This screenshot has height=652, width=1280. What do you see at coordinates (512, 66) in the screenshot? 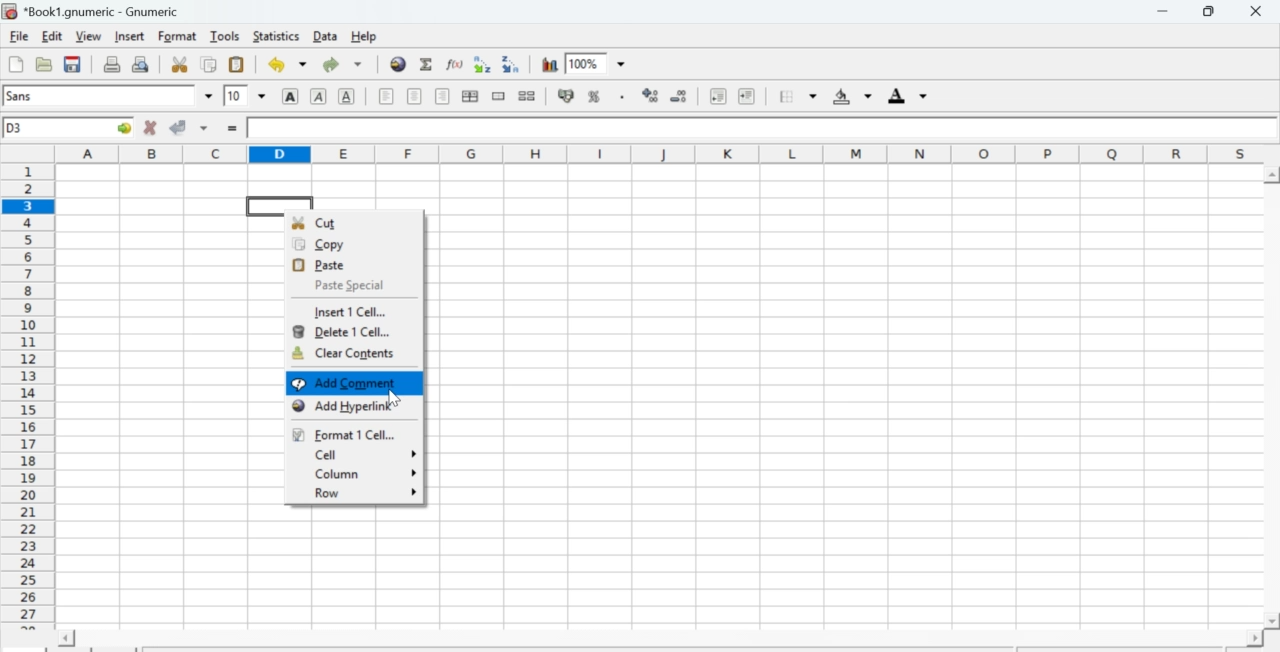
I see `Sort descending` at bounding box center [512, 66].